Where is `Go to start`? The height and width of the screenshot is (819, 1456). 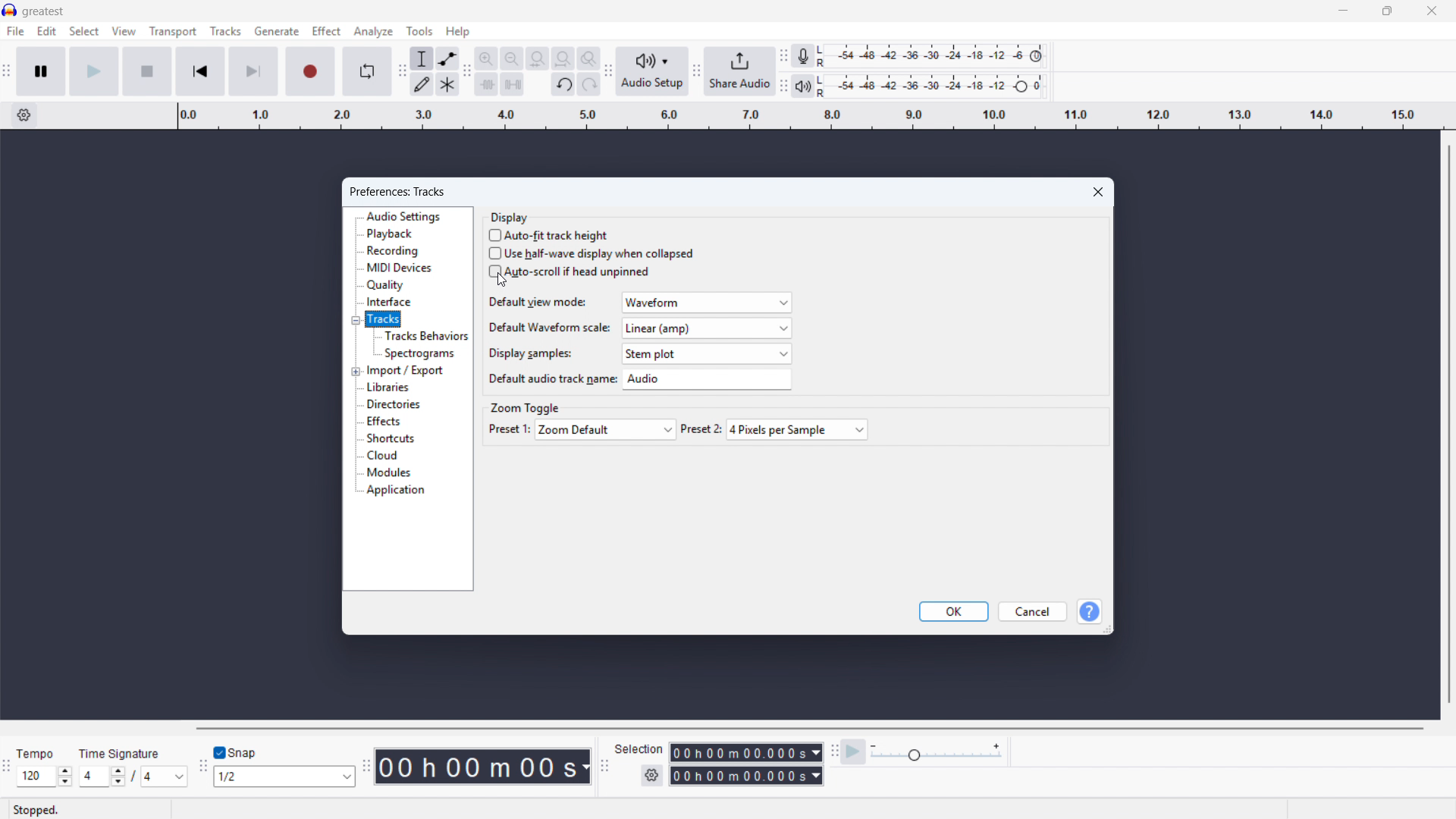
Go to start is located at coordinates (201, 71).